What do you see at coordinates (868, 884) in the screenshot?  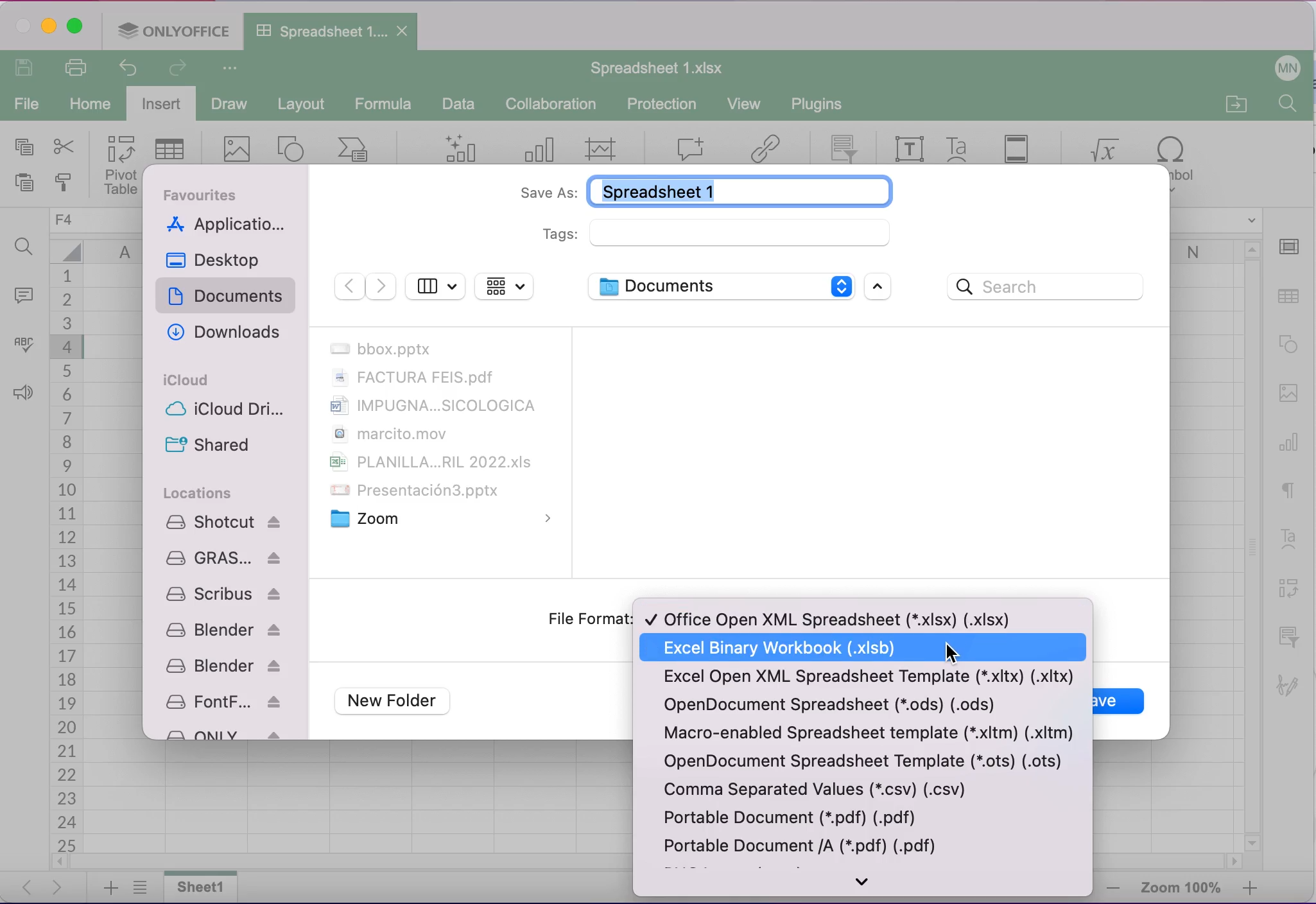 I see `keep scrolling` at bounding box center [868, 884].